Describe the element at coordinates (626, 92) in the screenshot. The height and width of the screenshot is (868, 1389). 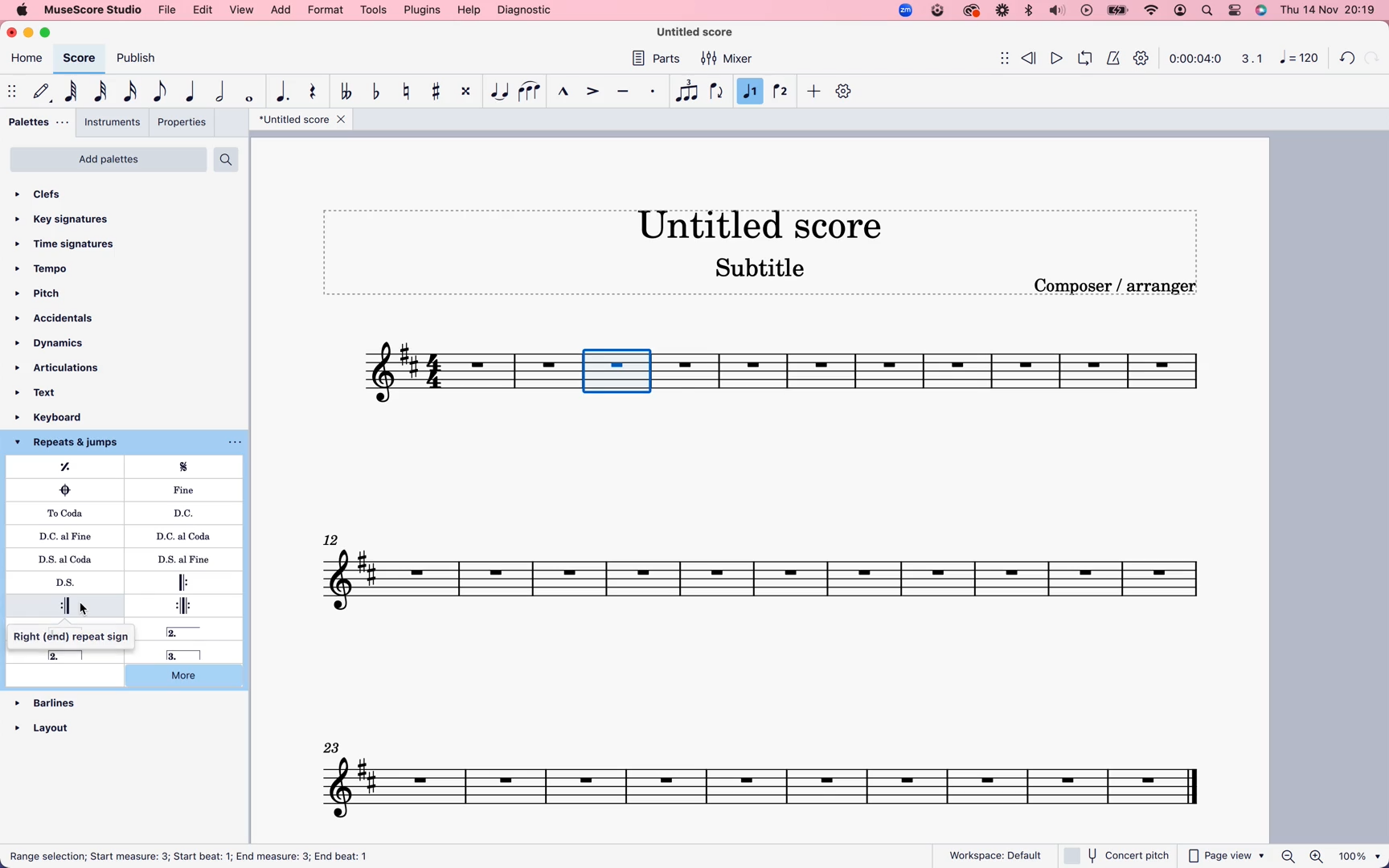
I see `tenuto` at that location.